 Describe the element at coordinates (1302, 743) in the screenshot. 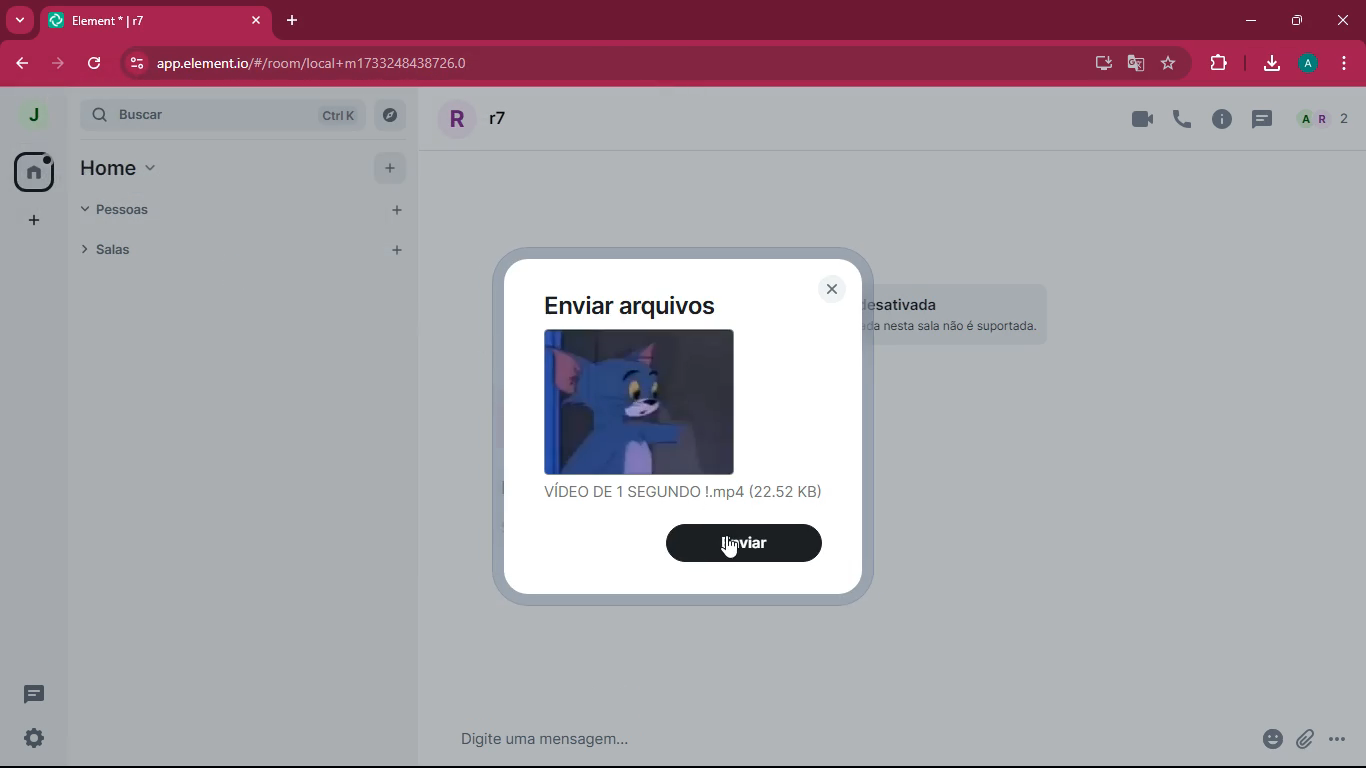

I see `attach` at that location.